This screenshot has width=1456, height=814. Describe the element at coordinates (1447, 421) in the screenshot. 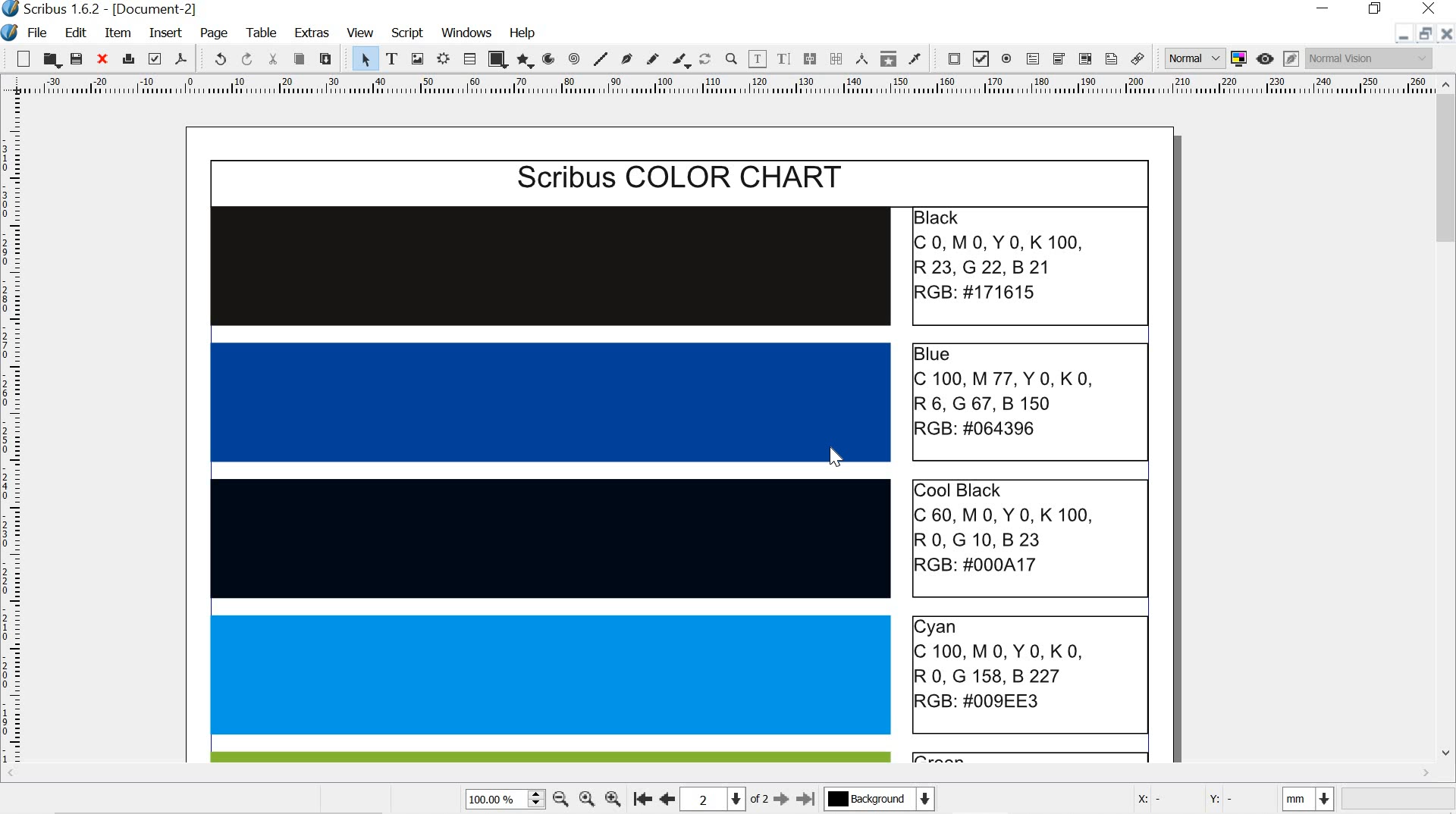

I see `scrollbar` at that location.